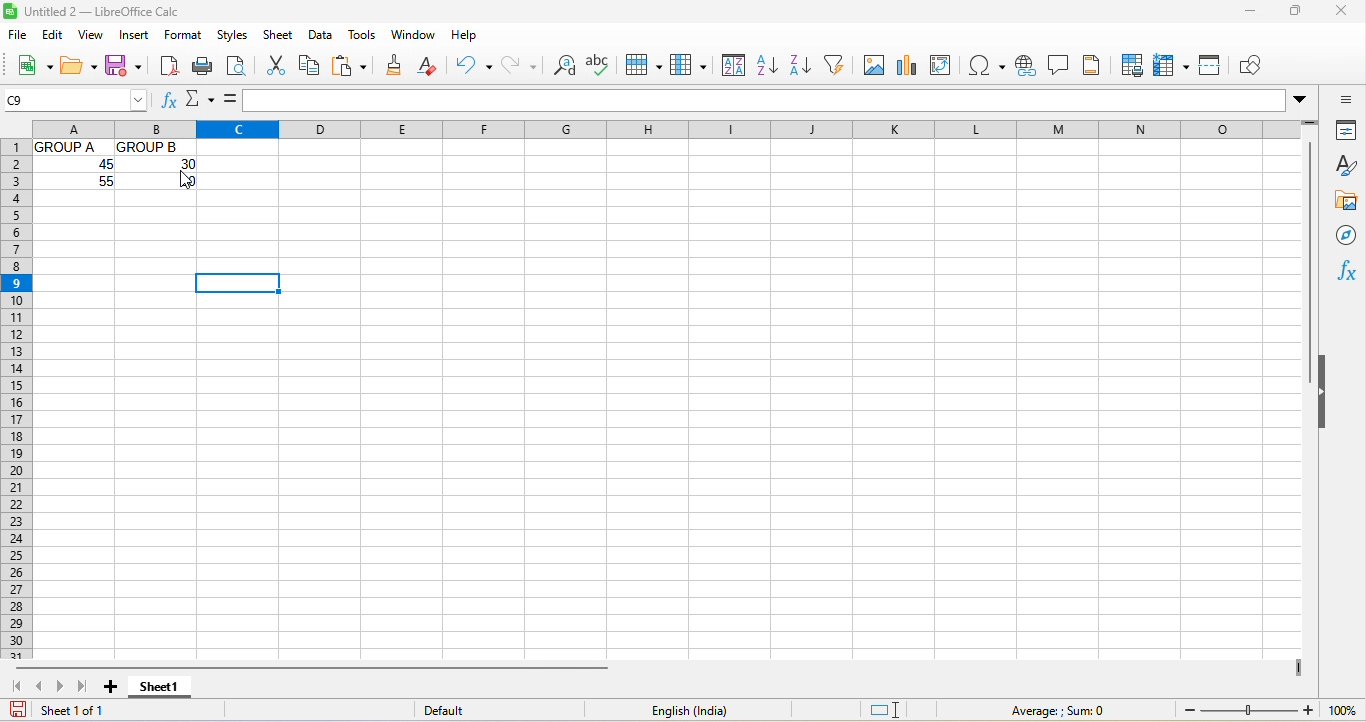  Describe the element at coordinates (74, 182) in the screenshot. I see `` at that location.